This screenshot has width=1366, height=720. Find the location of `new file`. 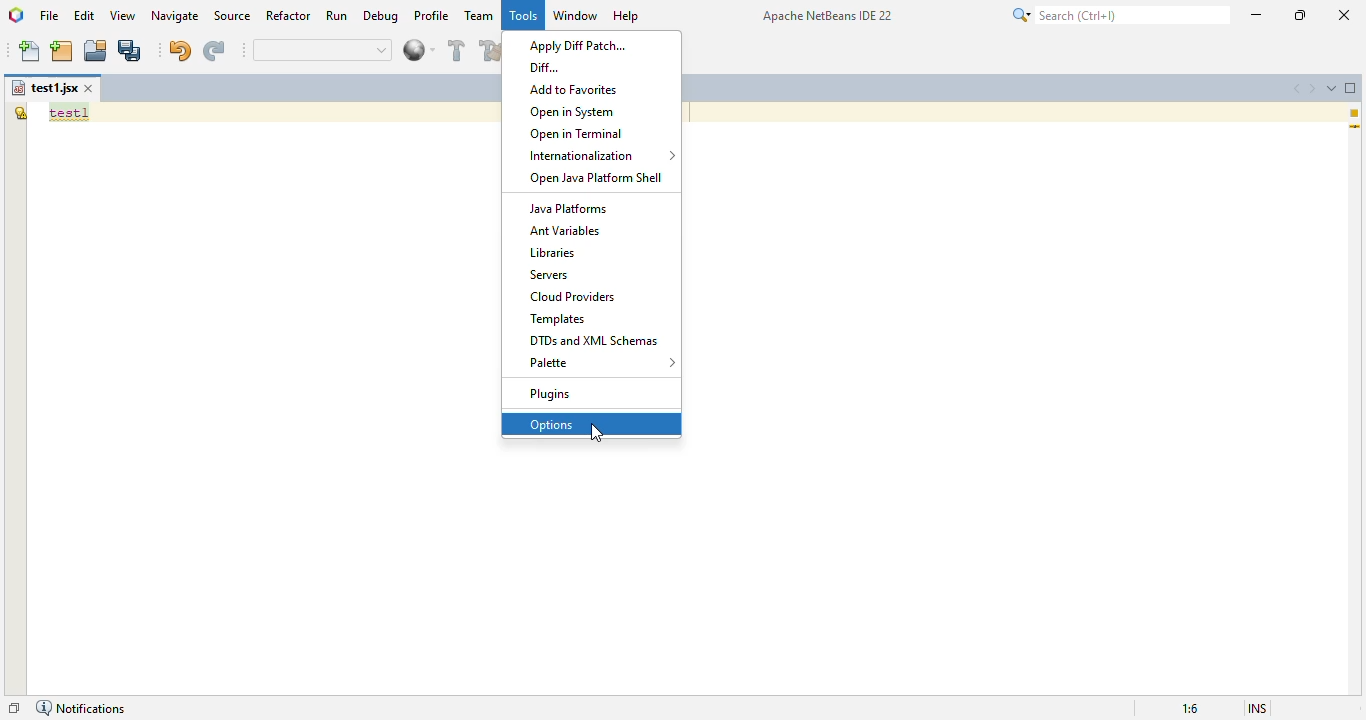

new file is located at coordinates (31, 51).